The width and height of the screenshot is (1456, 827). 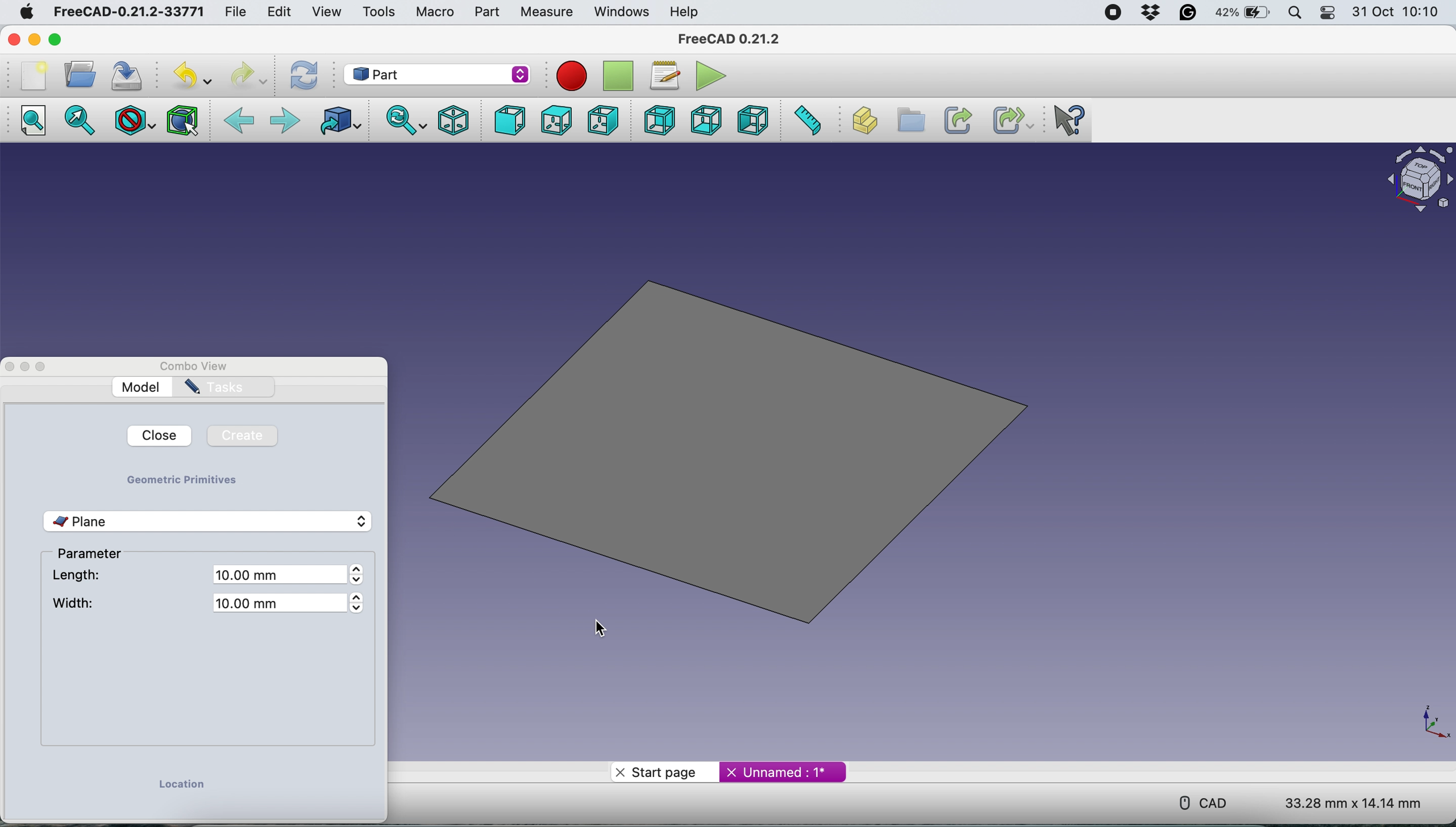 I want to click on Isometric, so click(x=455, y=120).